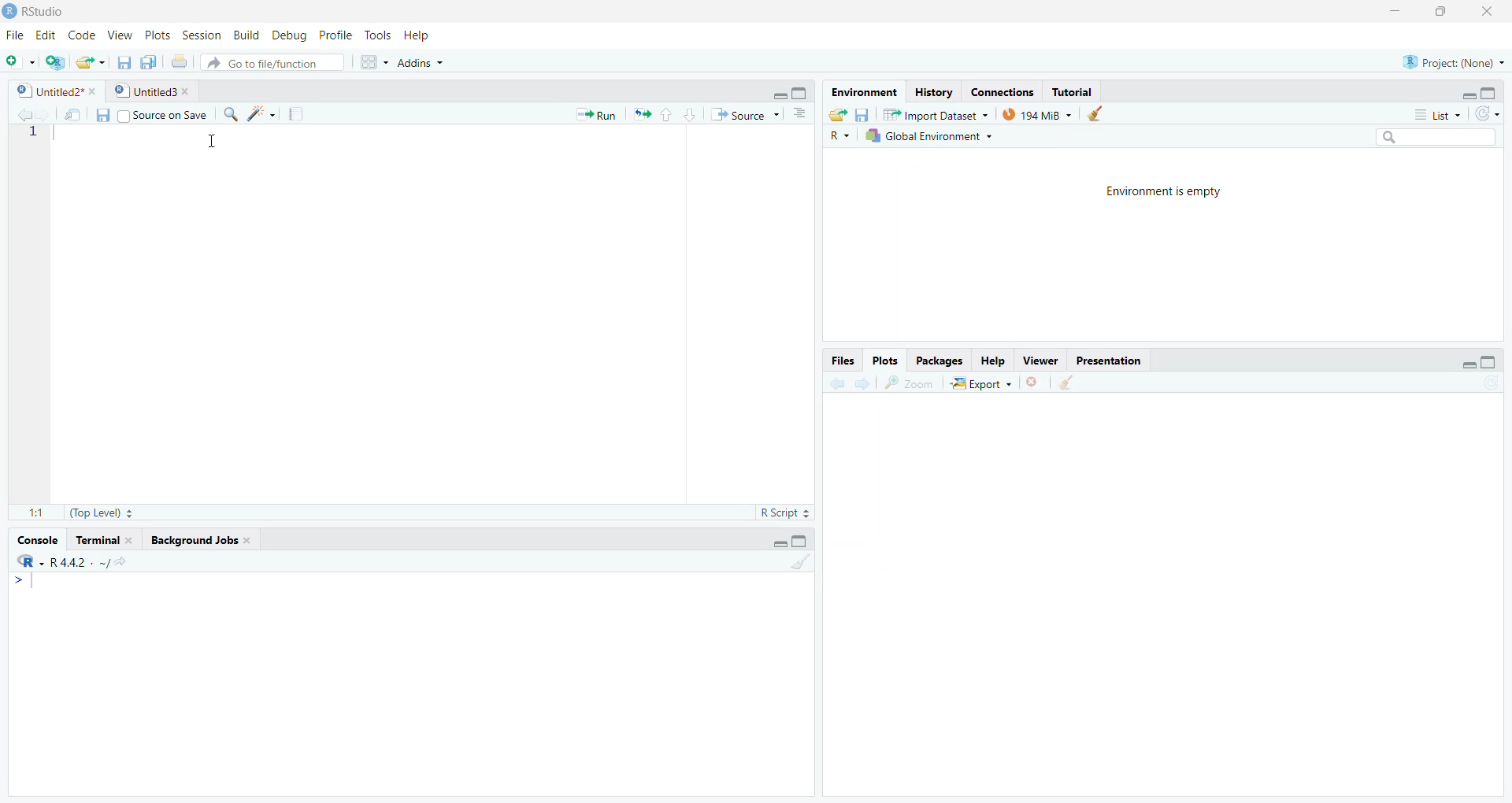 The width and height of the screenshot is (1512, 803). Describe the element at coordinates (866, 113) in the screenshot. I see `Save workspace` at that location.